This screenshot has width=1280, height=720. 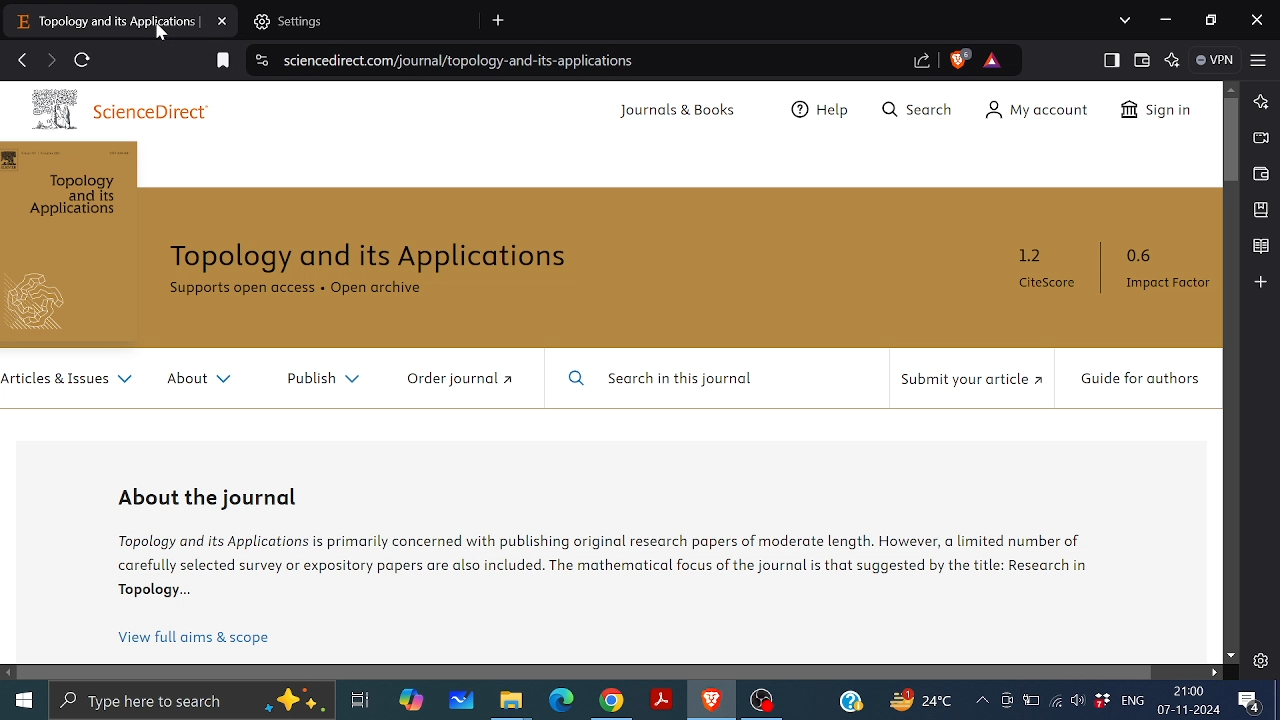 What do you see at coordinates (1260, 136) in the screenshot?
I see `` at bounding box center [1260, 136].